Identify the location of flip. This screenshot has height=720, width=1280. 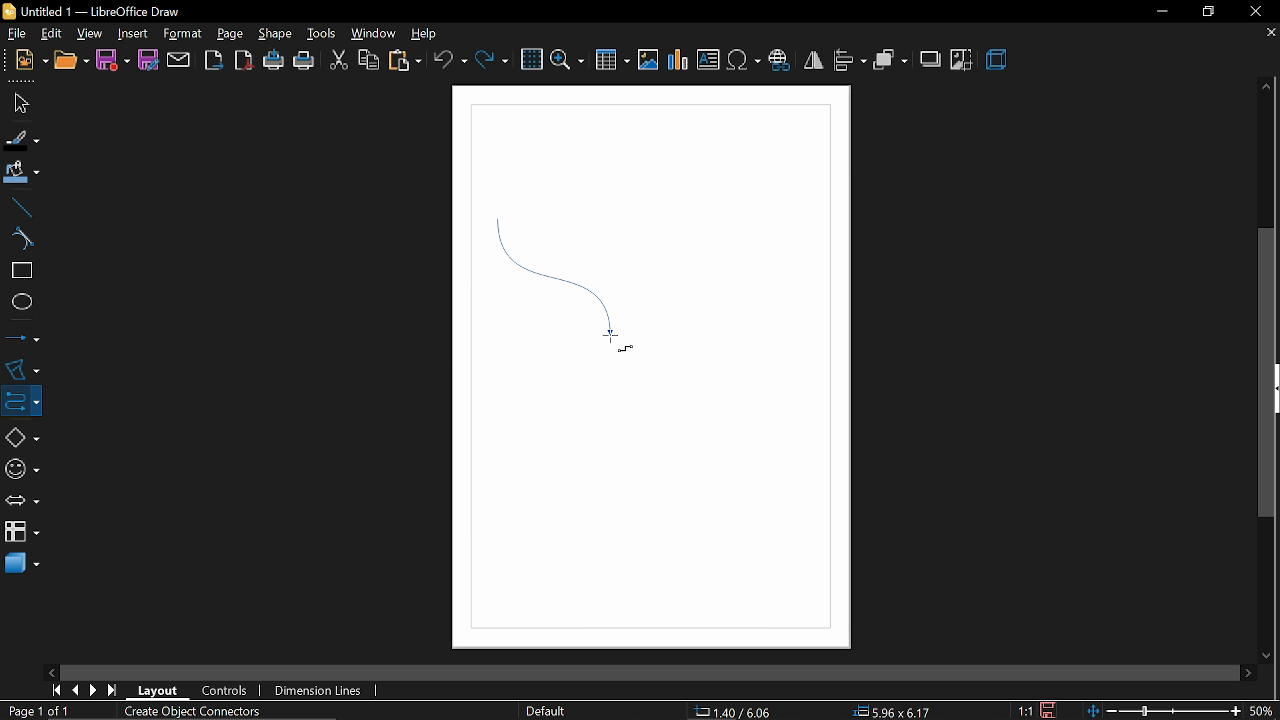
(812, 61).